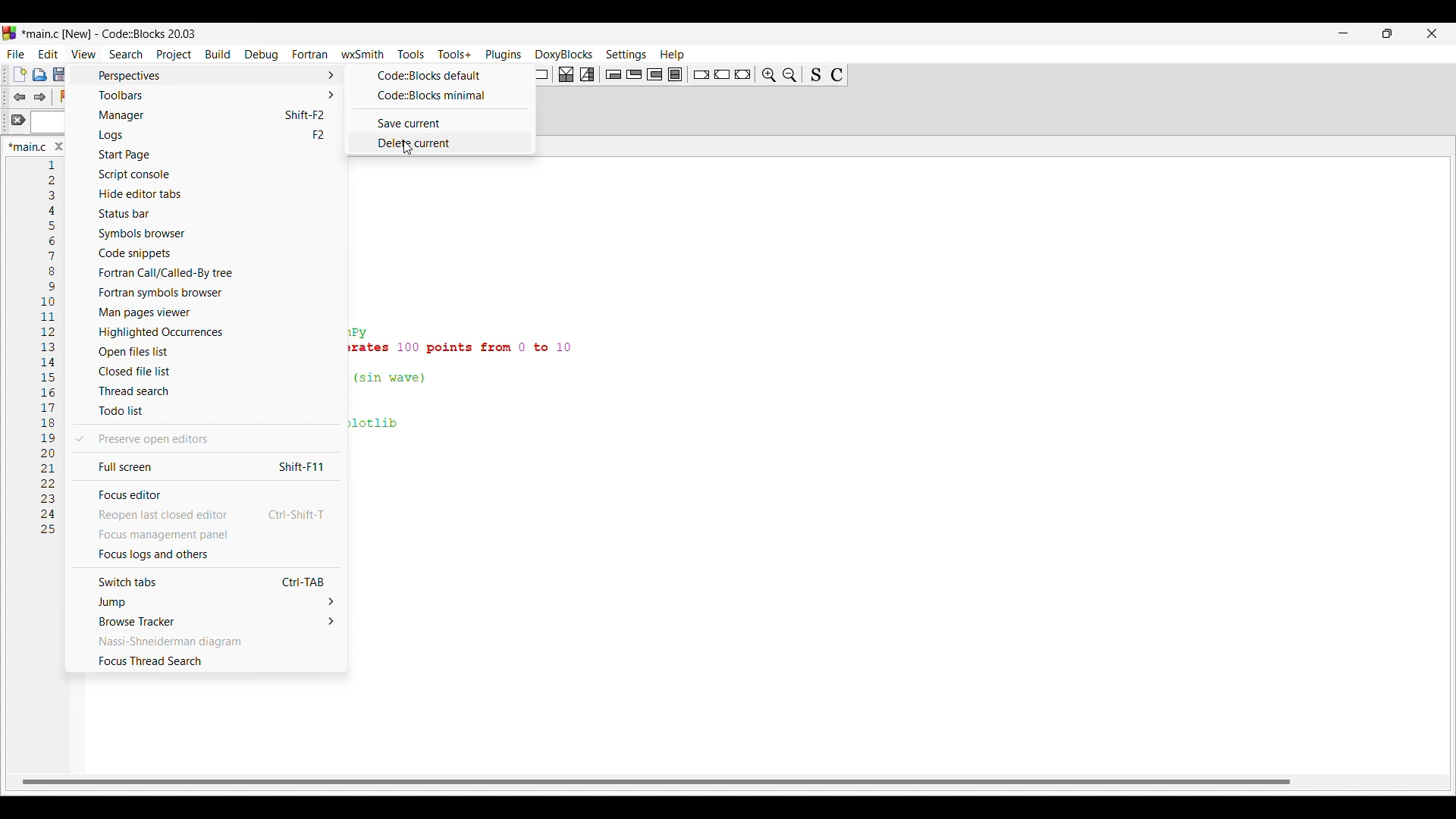 This screenshot has height=819, width=1456. Describe the element at coordinates (701, 74) in the screenshot. I see `Break instruction` at that location.